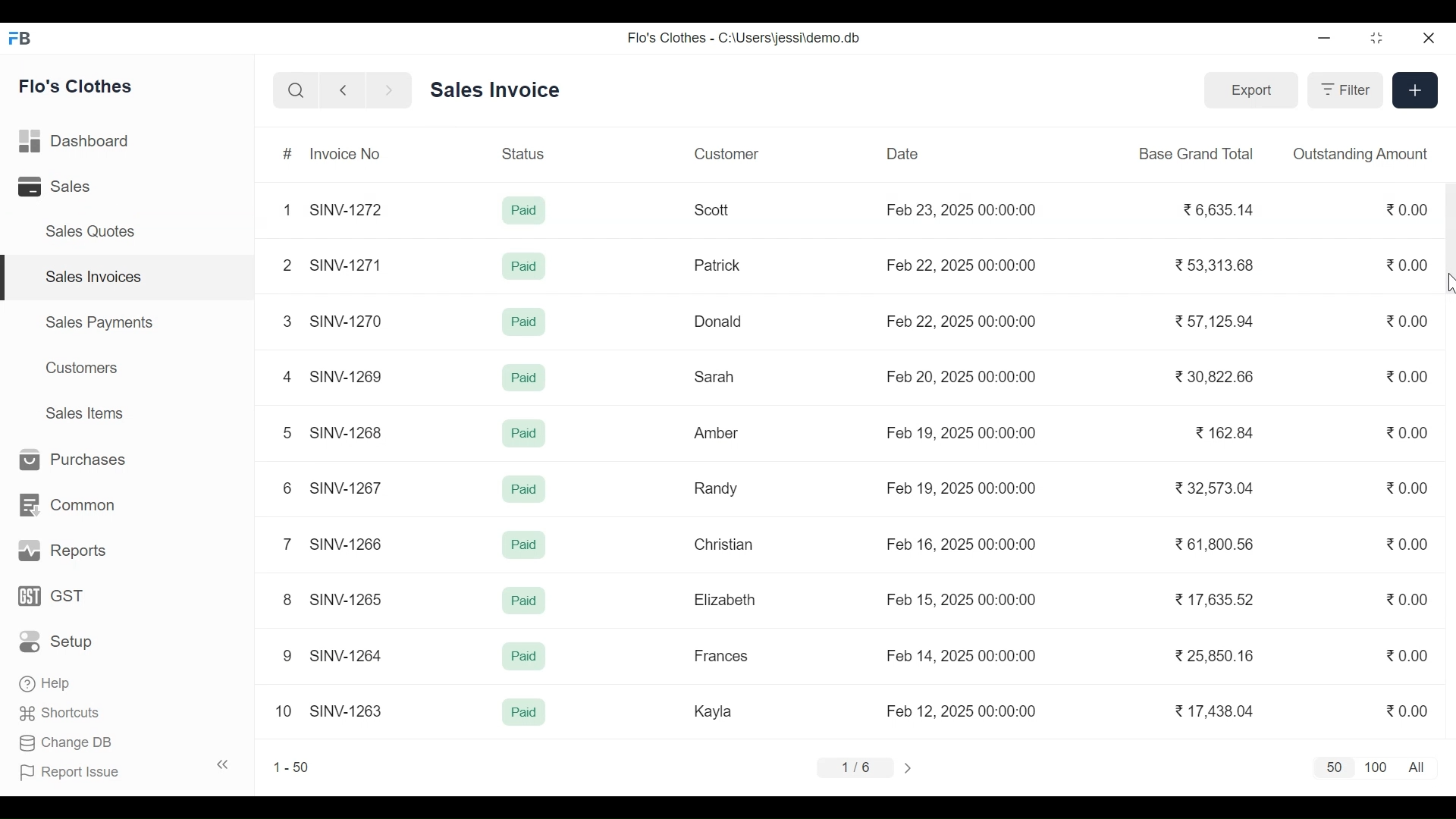 The width and height of the screenshot is (1456, 819). Describe the element at coordinates (100, 322) in the screenshot. I see `Sales Payments` at that location.